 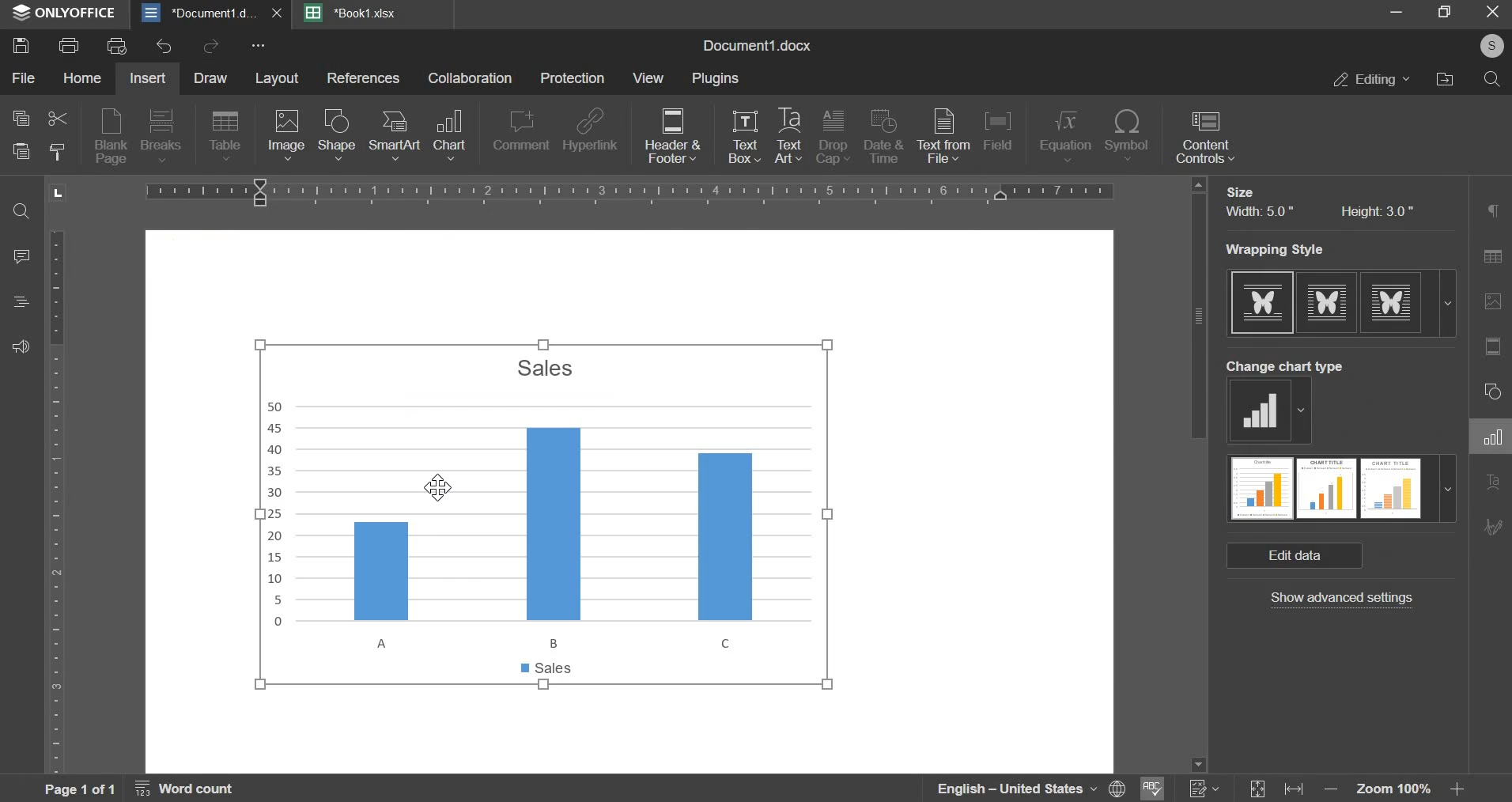 What do you see at coordinates (1491, 258) in the screenshot?
I see `Search/Replace Tool` at bounding box center [1491, 258].